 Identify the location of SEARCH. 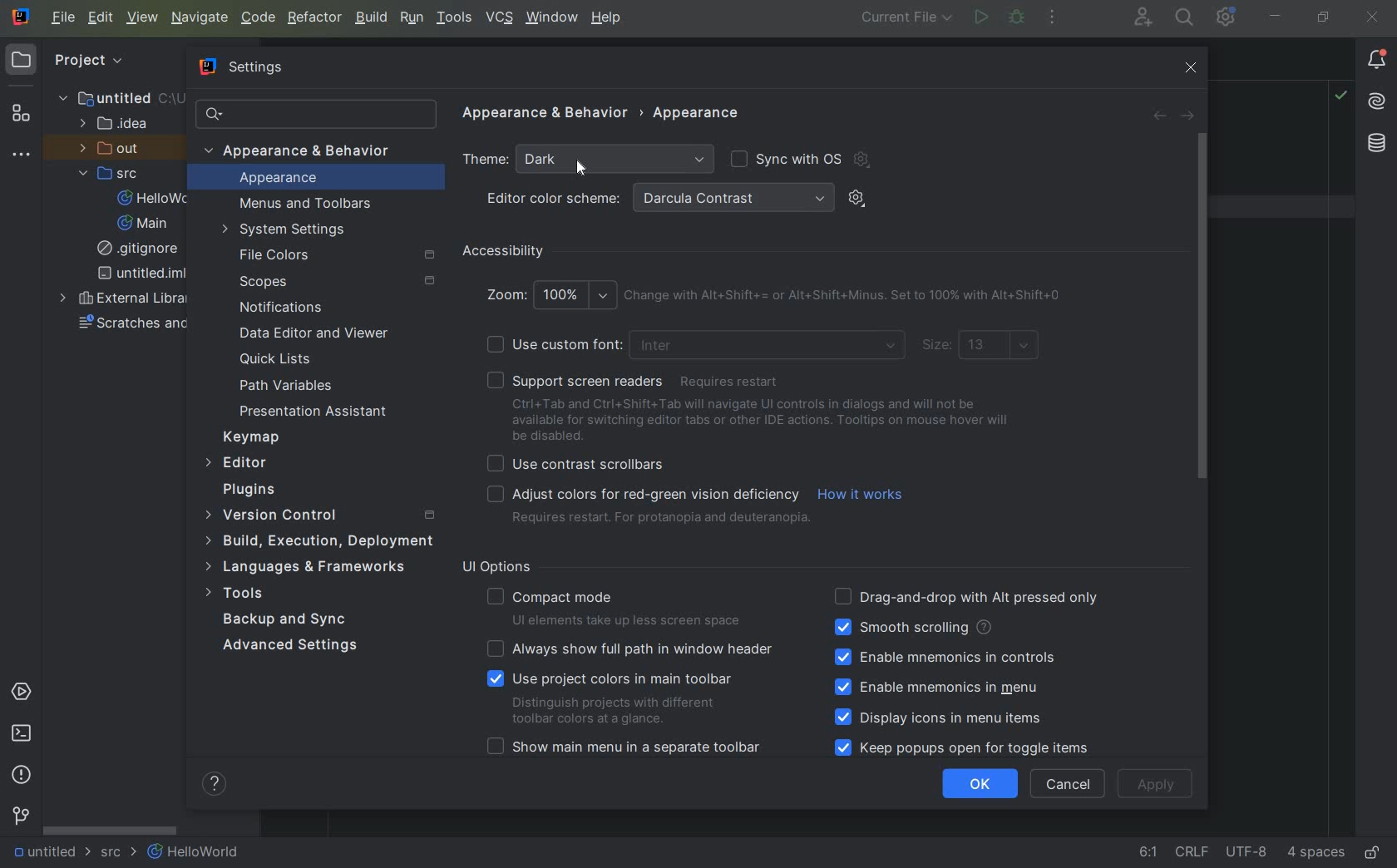
(1186, 17).